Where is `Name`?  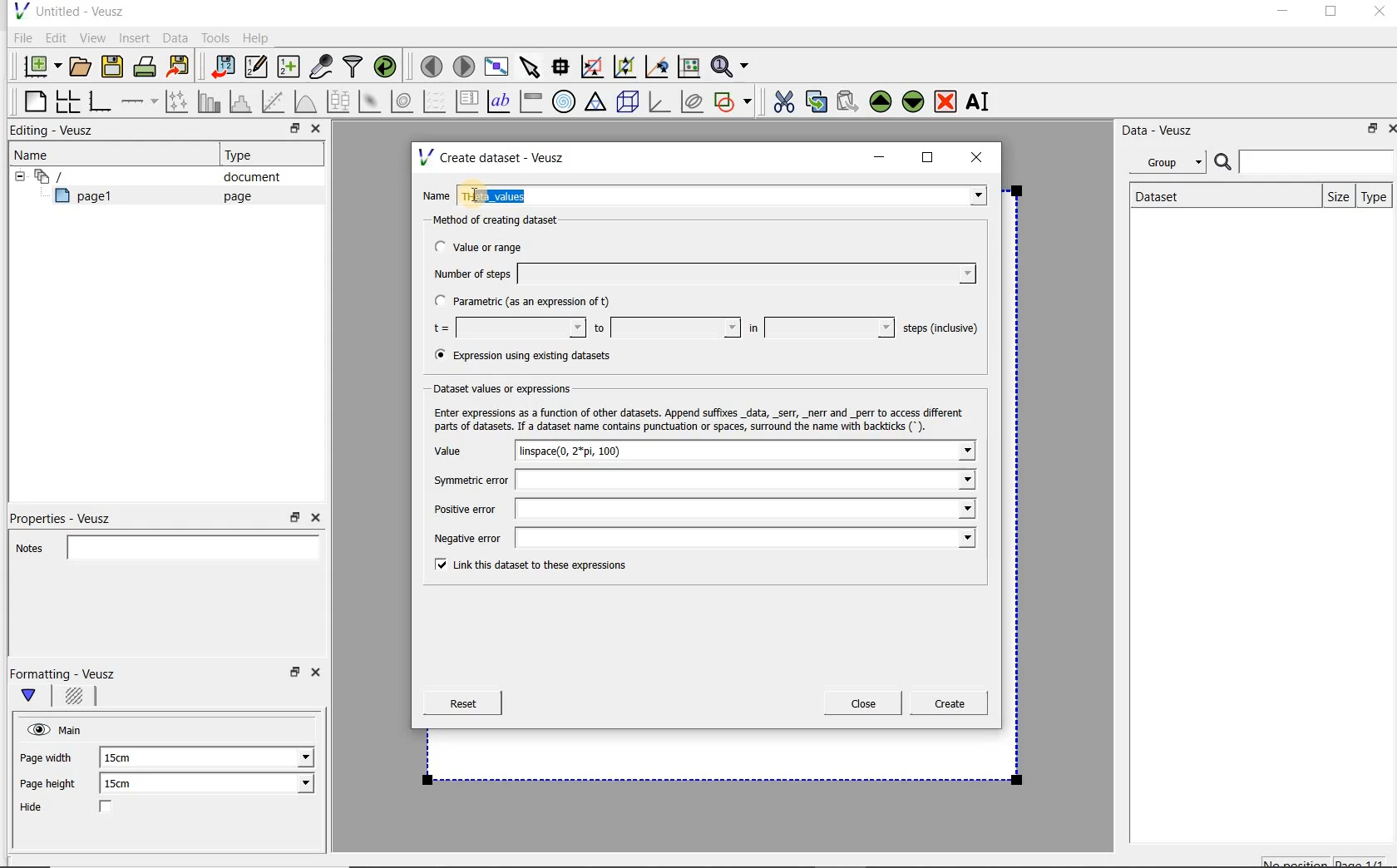 Name is located at coordinates (437, 194).